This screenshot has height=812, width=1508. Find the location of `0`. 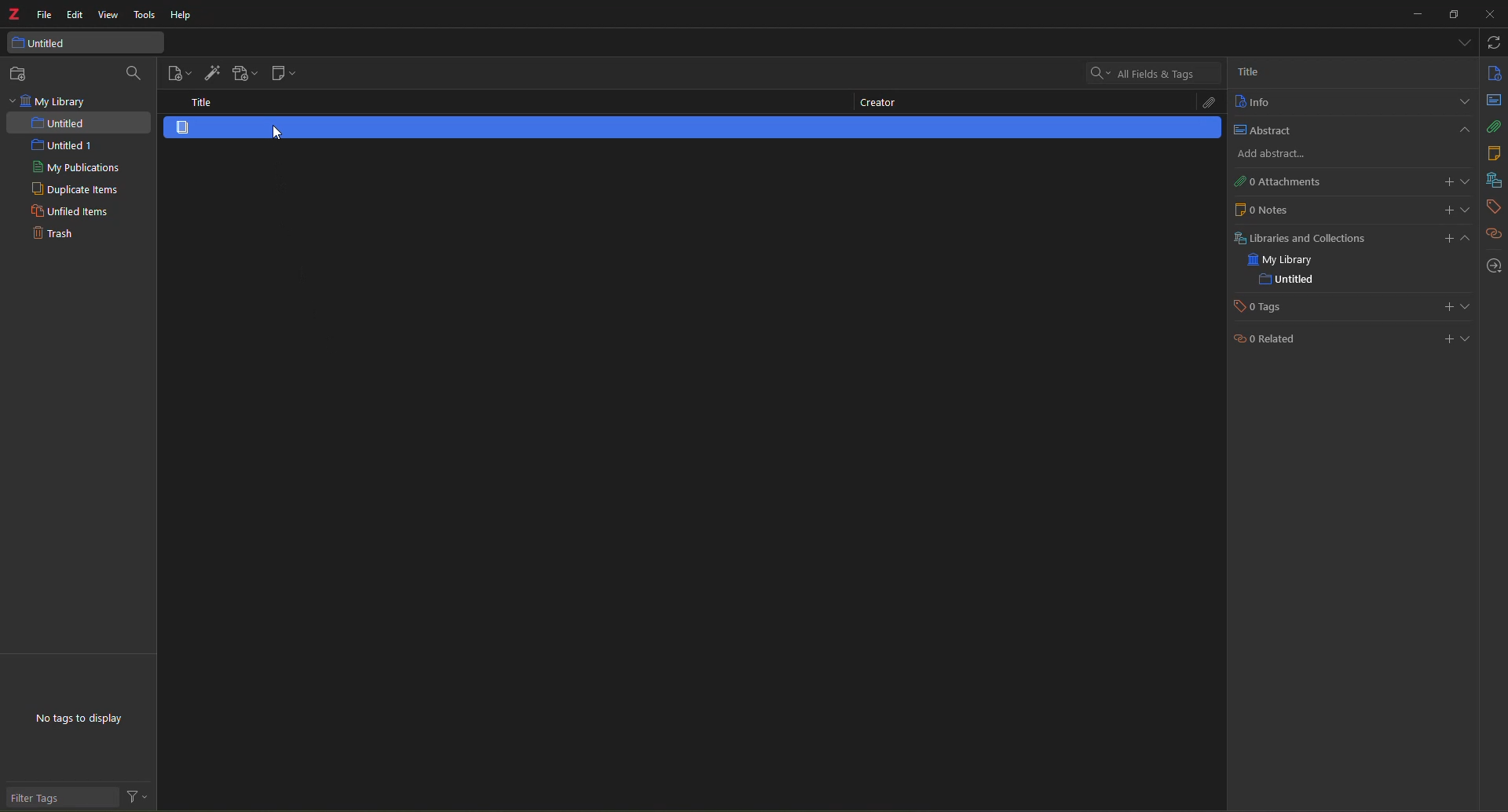

0 is located at coordinates (1275, 181).